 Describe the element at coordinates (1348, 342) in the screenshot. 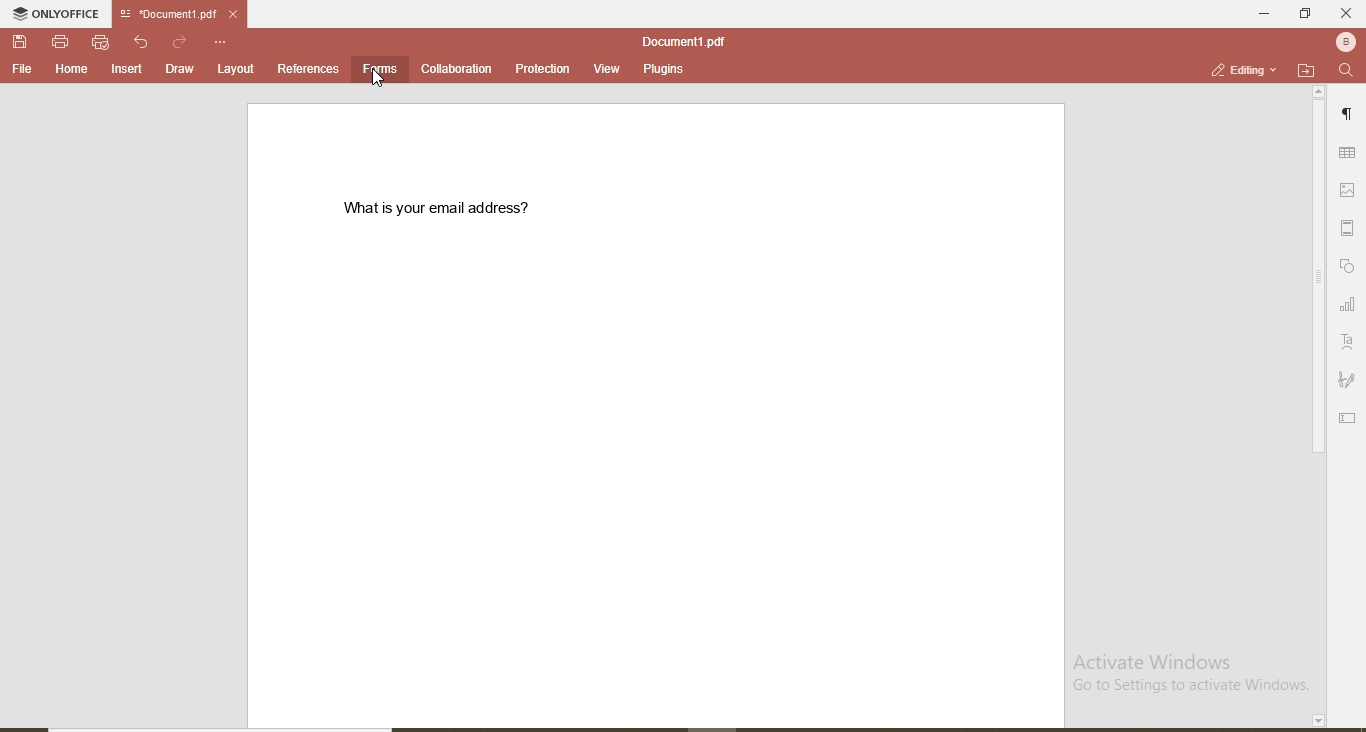

I see `text` at that location.